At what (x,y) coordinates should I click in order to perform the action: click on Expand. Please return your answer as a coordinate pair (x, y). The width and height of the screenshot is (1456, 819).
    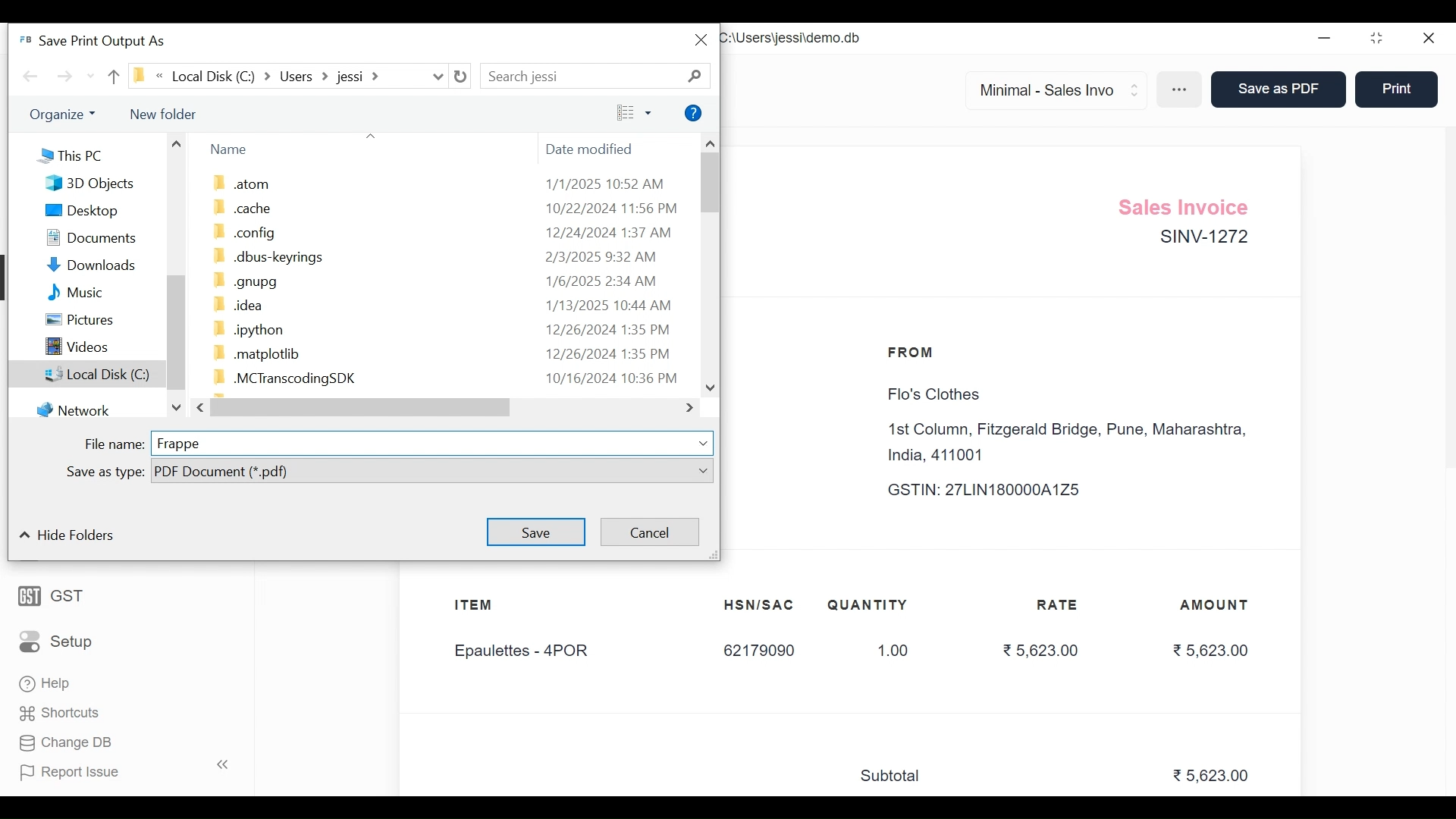
    Looking at the image, I should click on (704, 470).